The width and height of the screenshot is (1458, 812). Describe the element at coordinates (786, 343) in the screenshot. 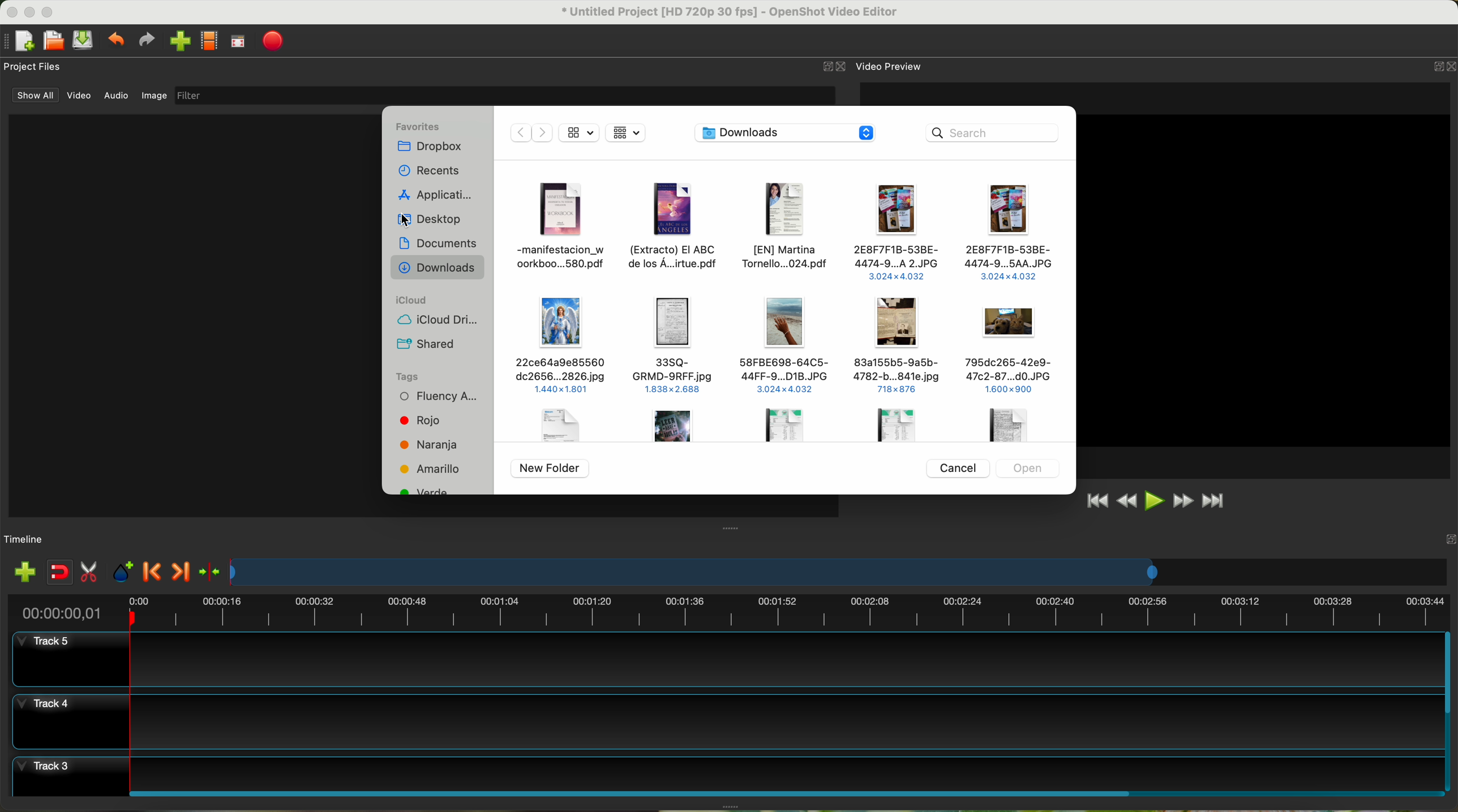

I see `file` at that location.